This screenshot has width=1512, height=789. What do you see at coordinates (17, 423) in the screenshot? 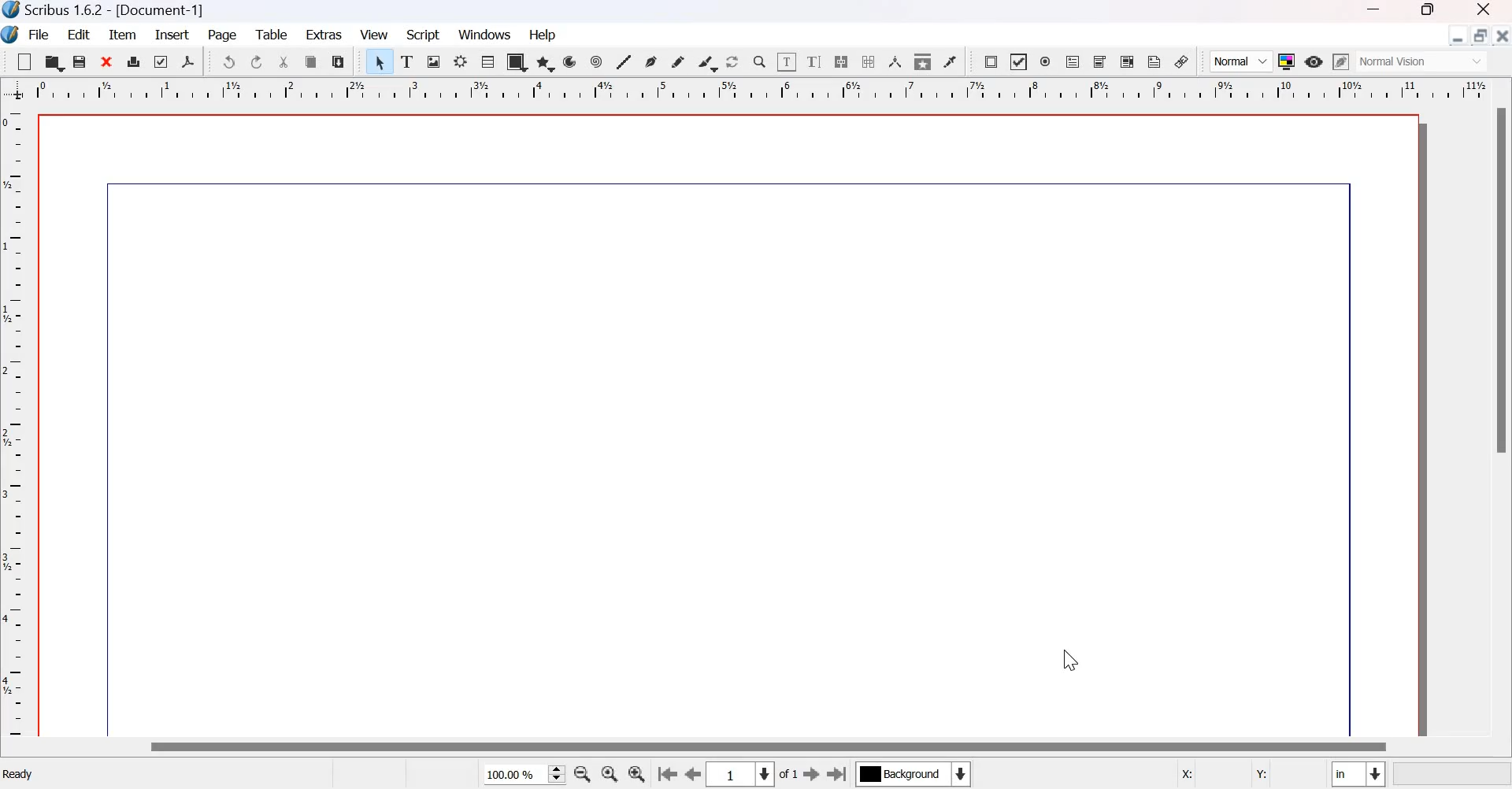
I see `vertical scale` at bounding box center [17, 423].